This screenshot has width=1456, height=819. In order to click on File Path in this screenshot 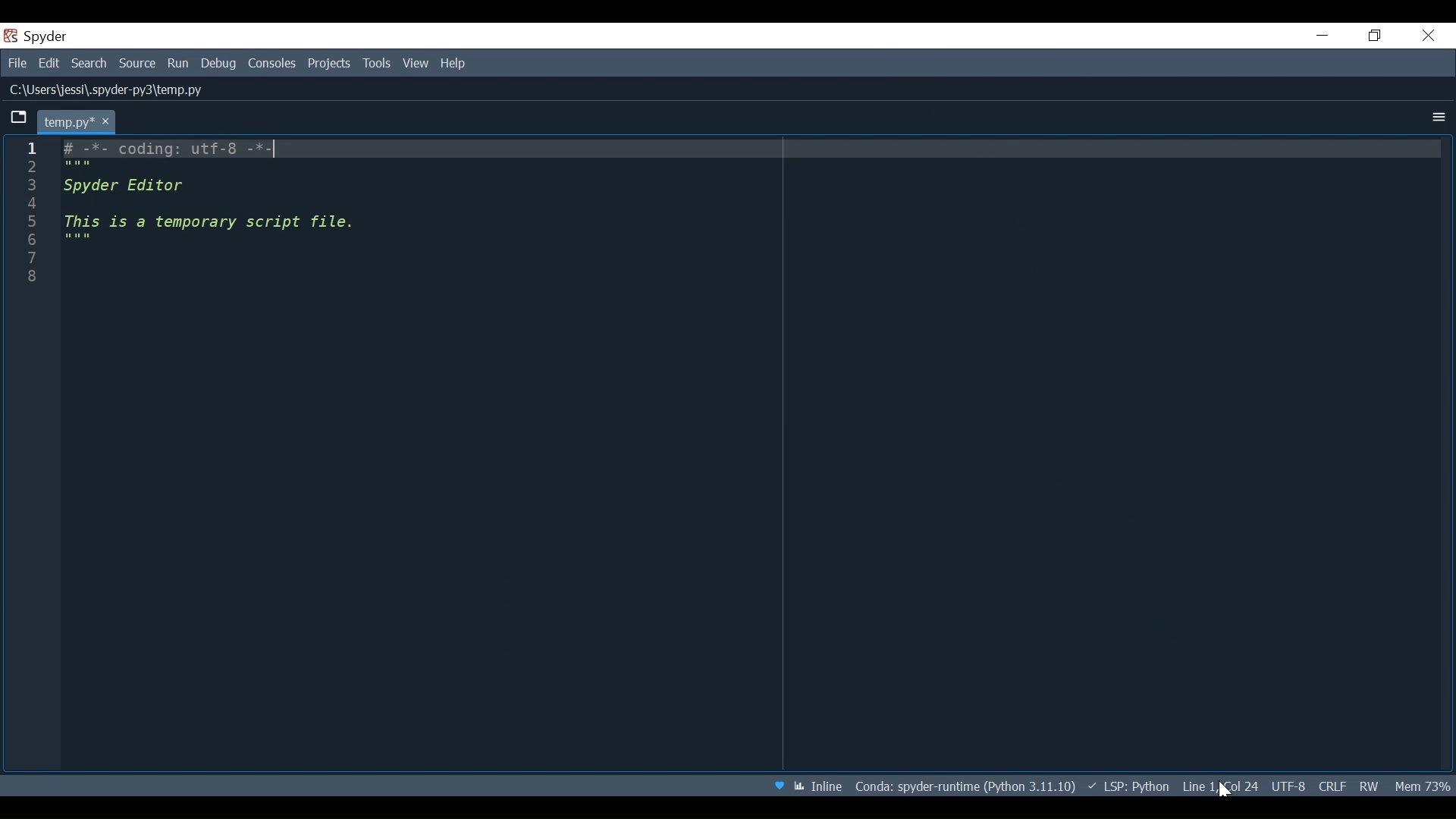, I will do `click(120, 91)`.